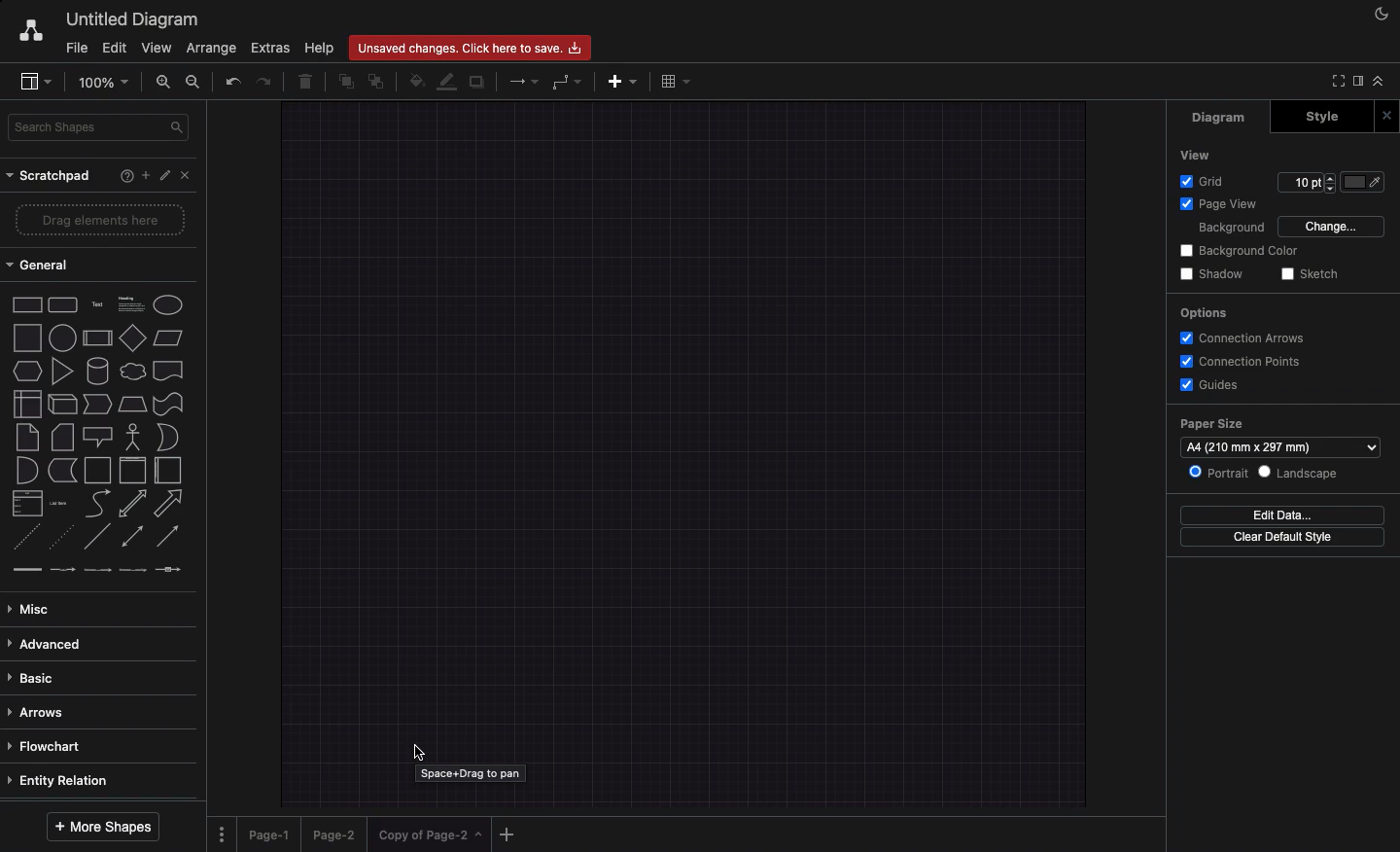 The height and width of the screenshot is (852, 1400). Describe the element at coordinates (104, 85) in the screenshot. I see `100%` at that location.